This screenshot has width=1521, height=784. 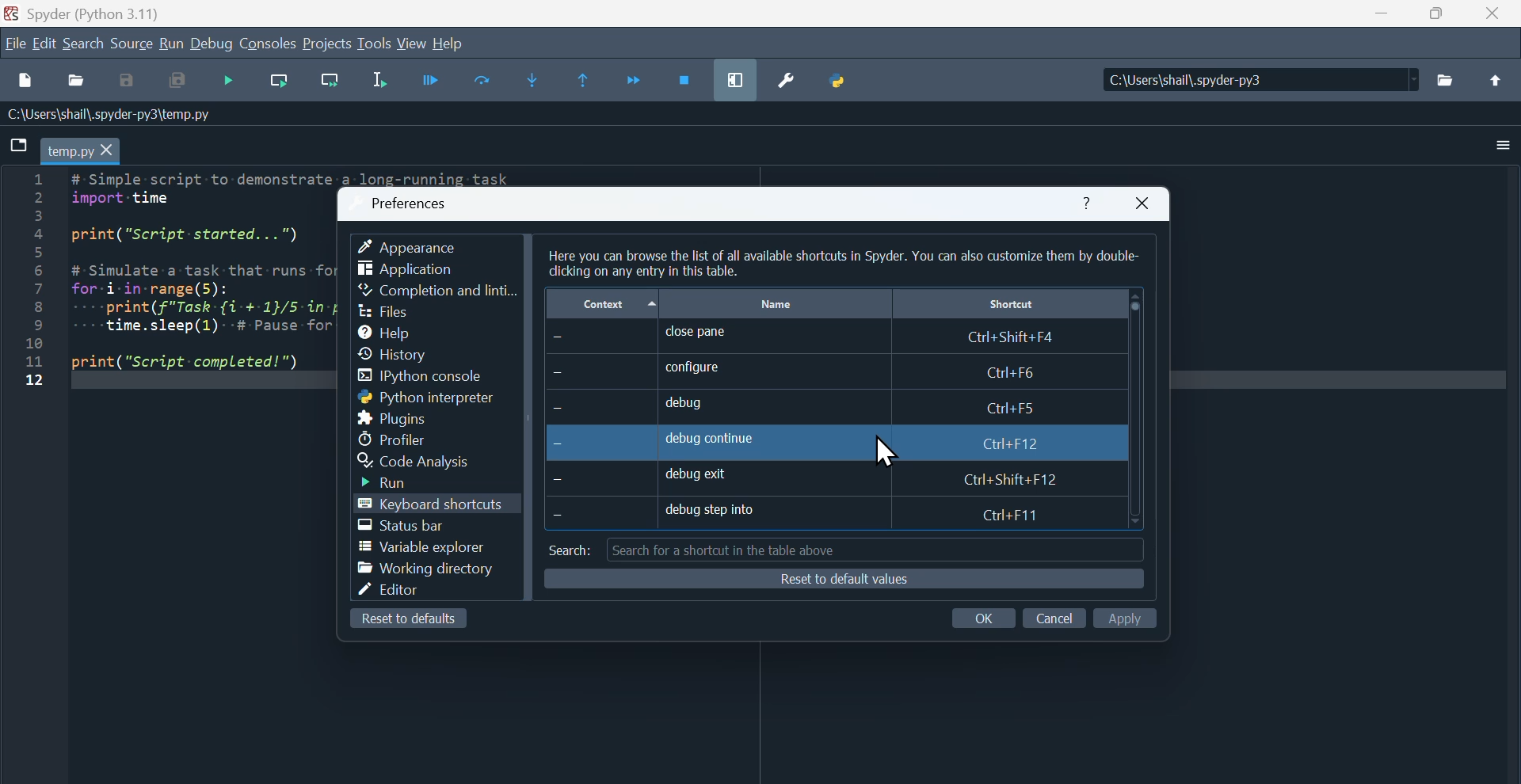 I want to click on save all, so click(x=177, y=82).